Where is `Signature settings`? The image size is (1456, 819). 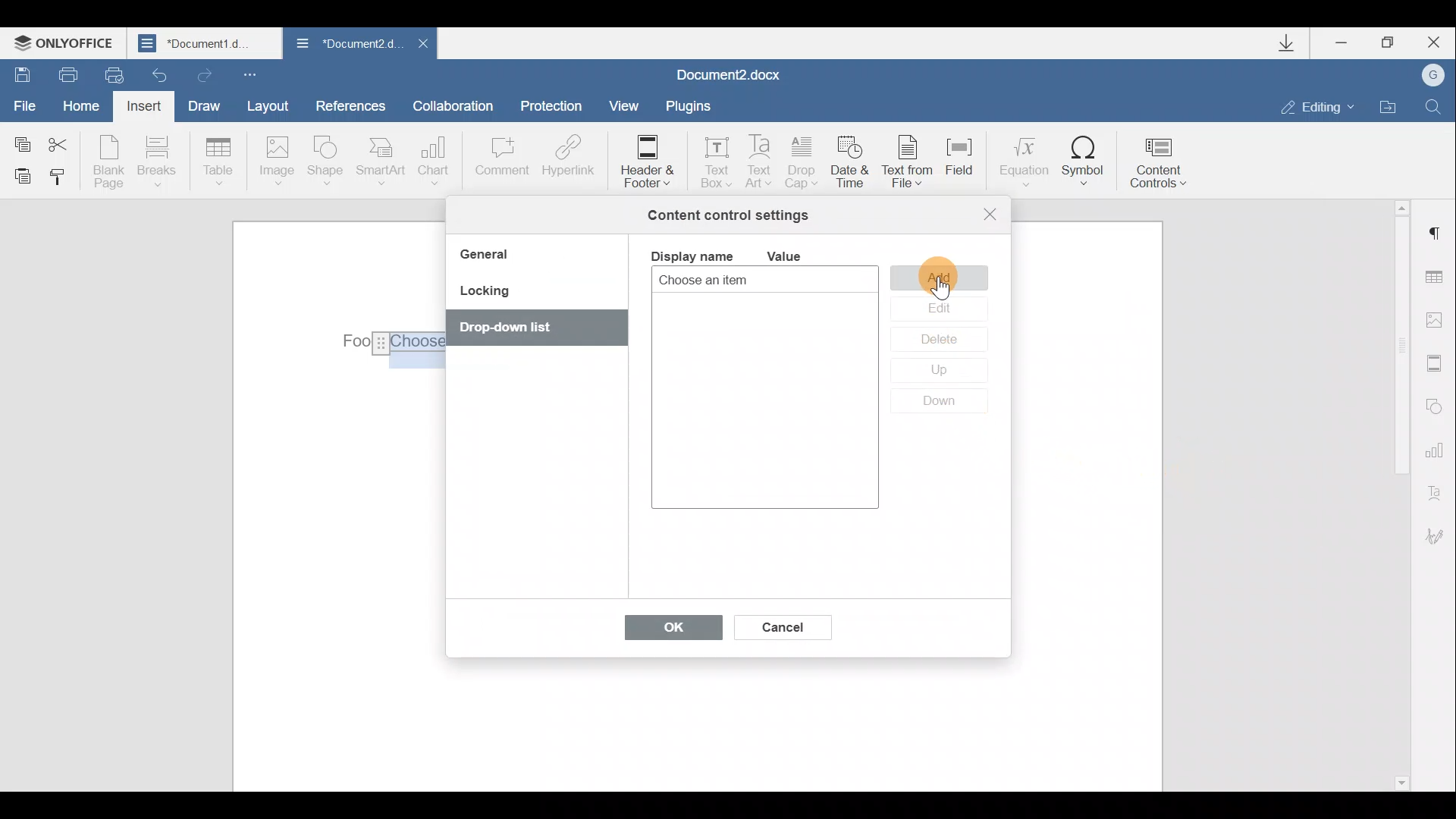
Signature settings is located at coordinates (1441, 536).